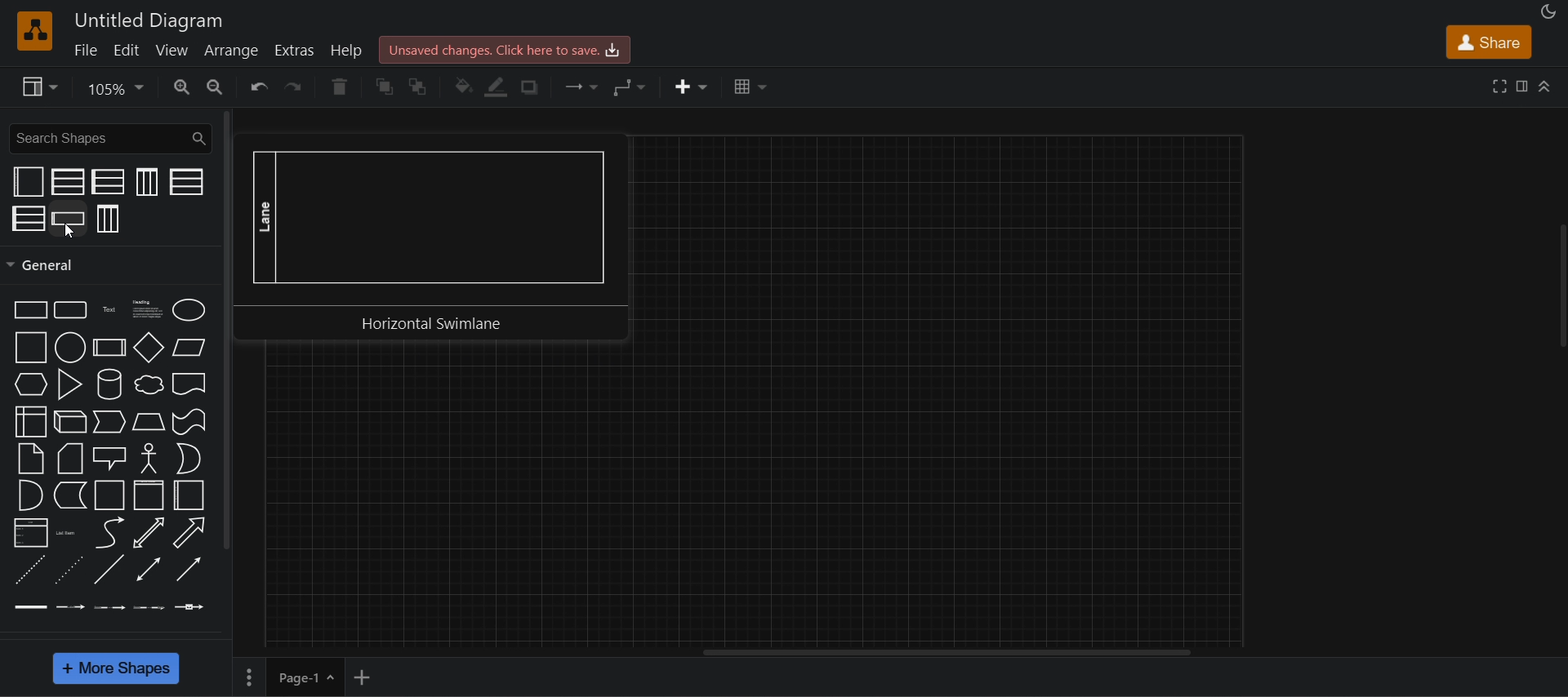 This screenshot has width=1568, height=697. What do you see at coordinates (256, 87) in the screenshot?
I see `undo` at bounding box center [256, 87].